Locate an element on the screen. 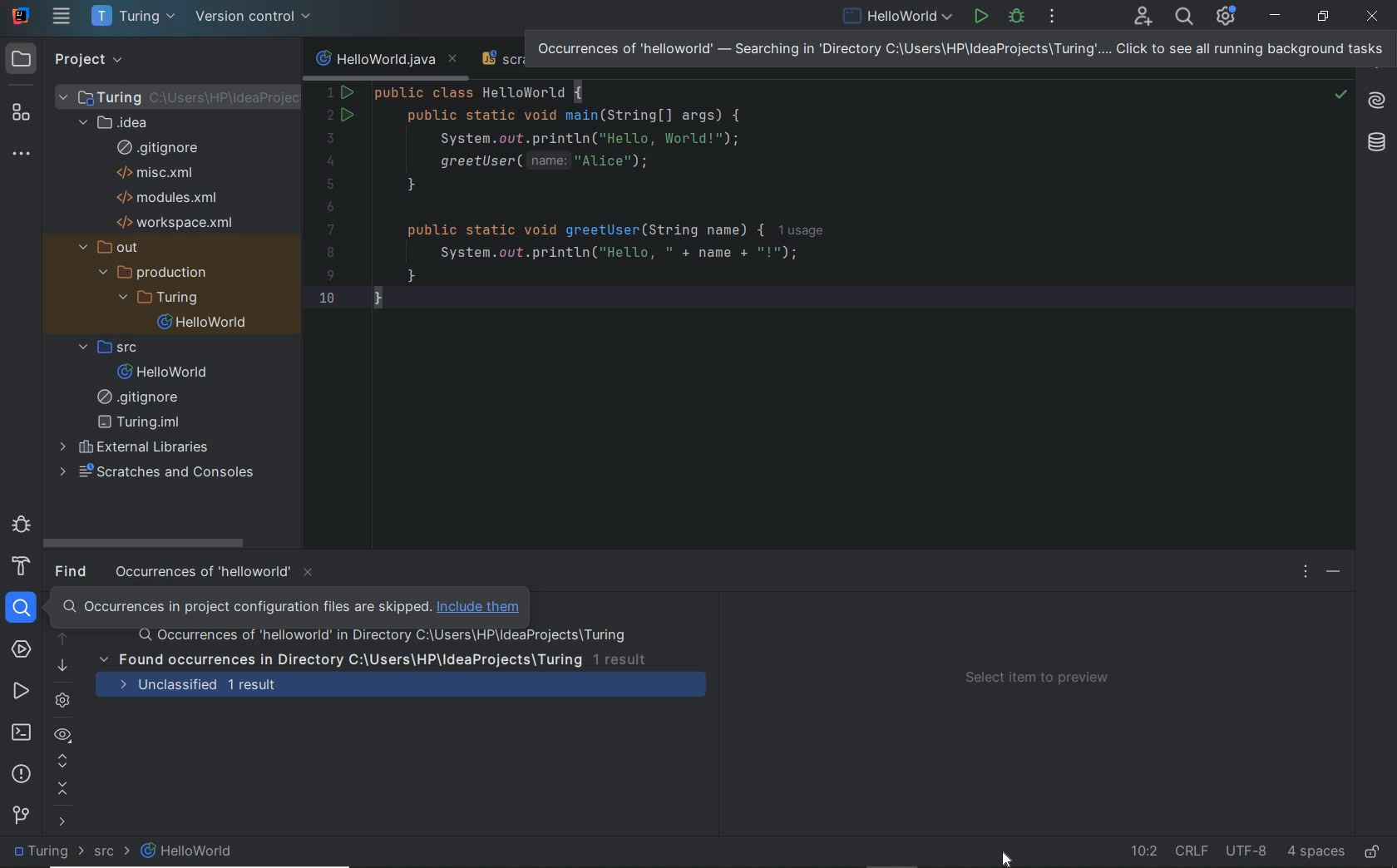  SRC is located at coordinates (114, 854).